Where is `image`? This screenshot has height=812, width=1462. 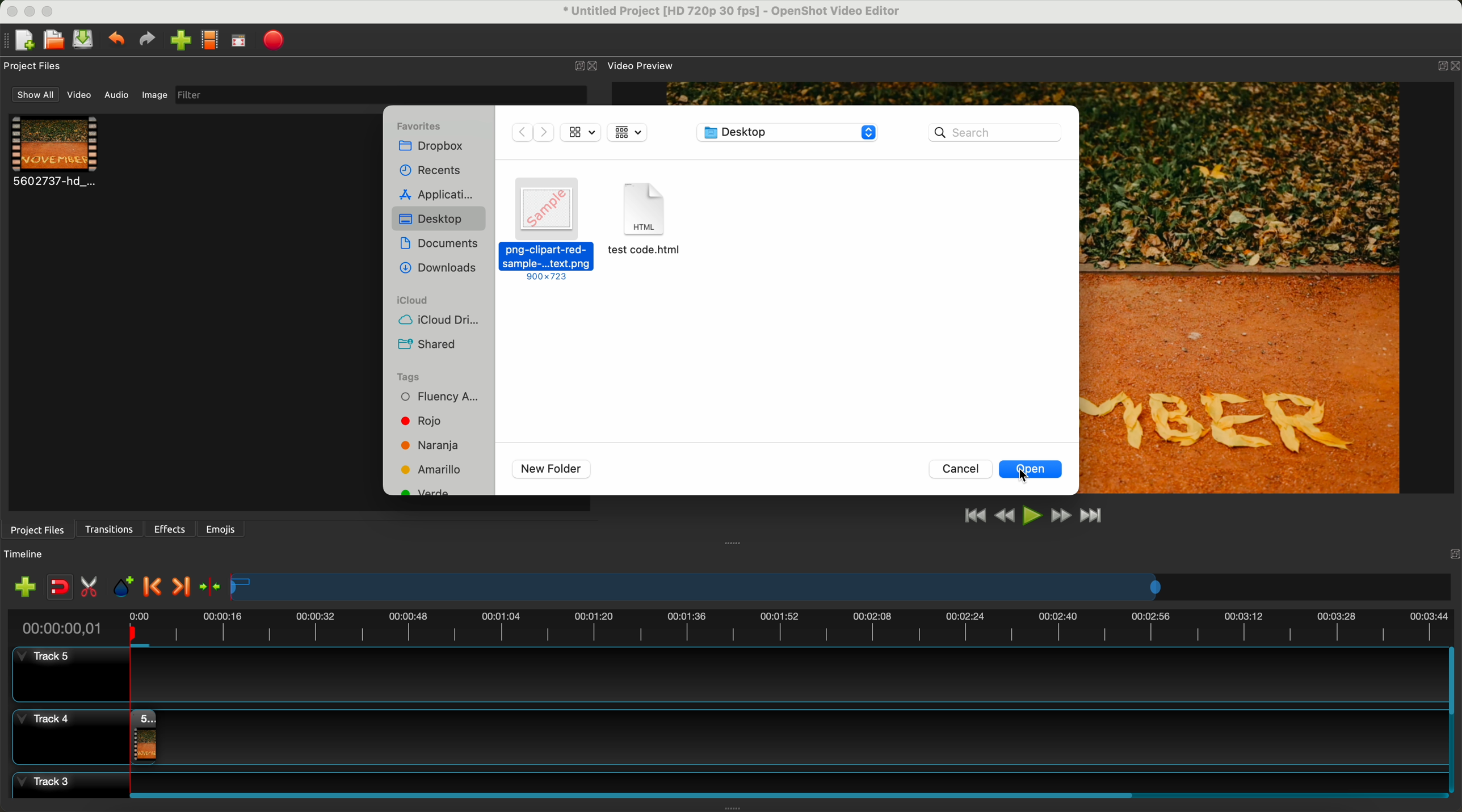 image is located at coordinates (153, 96).